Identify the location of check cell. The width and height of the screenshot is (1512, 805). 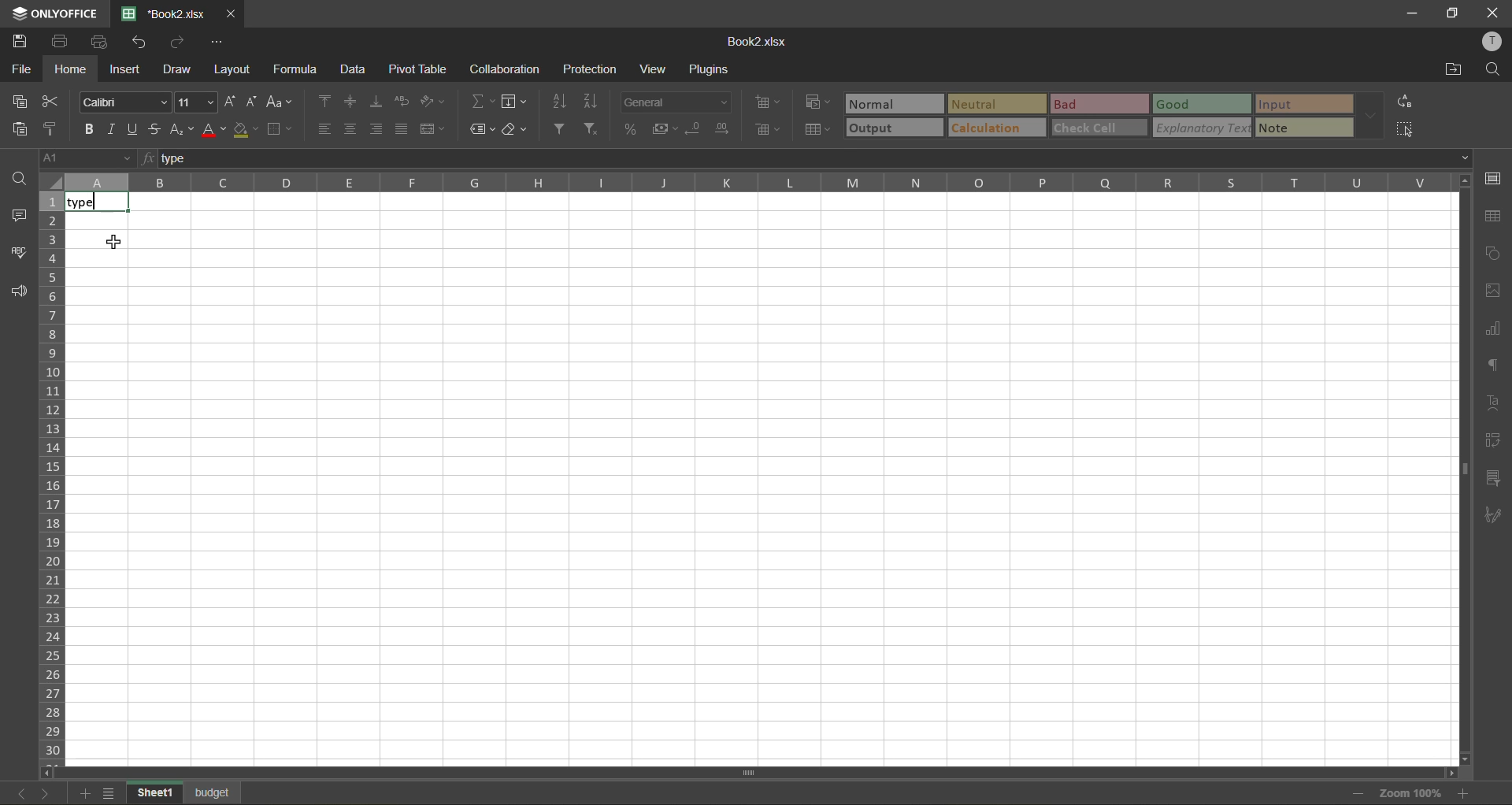
(1098, 126).